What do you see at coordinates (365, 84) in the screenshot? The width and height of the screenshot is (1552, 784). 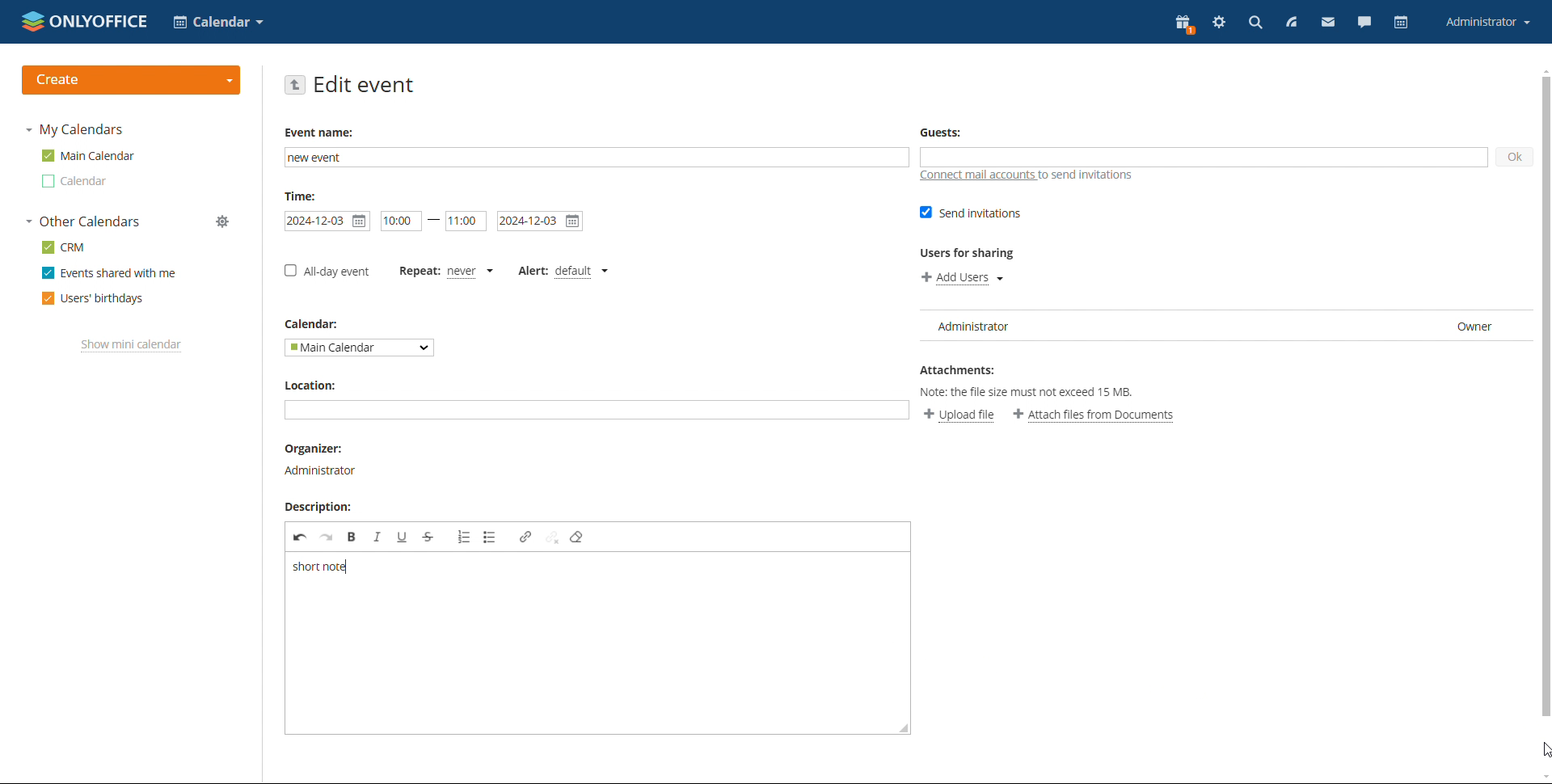 I see `edit event` at bounding box center [365, 84].